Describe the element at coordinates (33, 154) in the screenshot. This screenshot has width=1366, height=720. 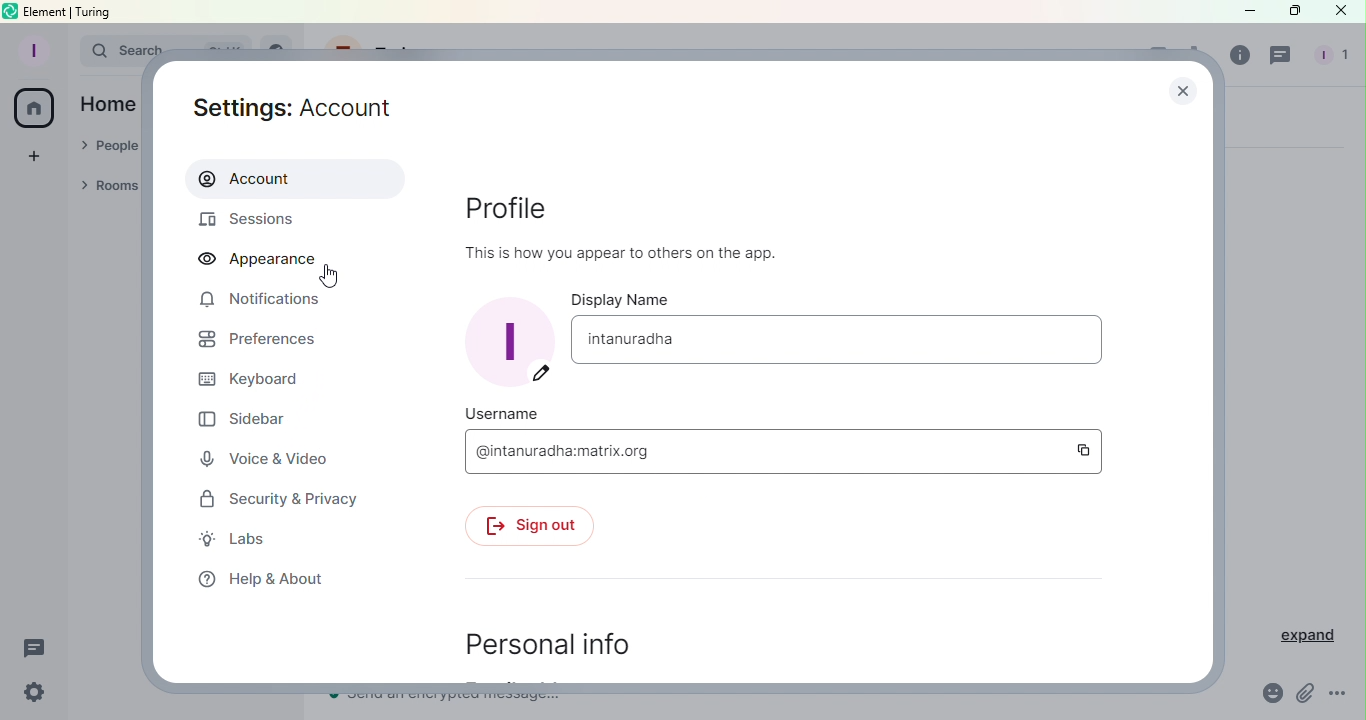
I see `Create a space` at that location.